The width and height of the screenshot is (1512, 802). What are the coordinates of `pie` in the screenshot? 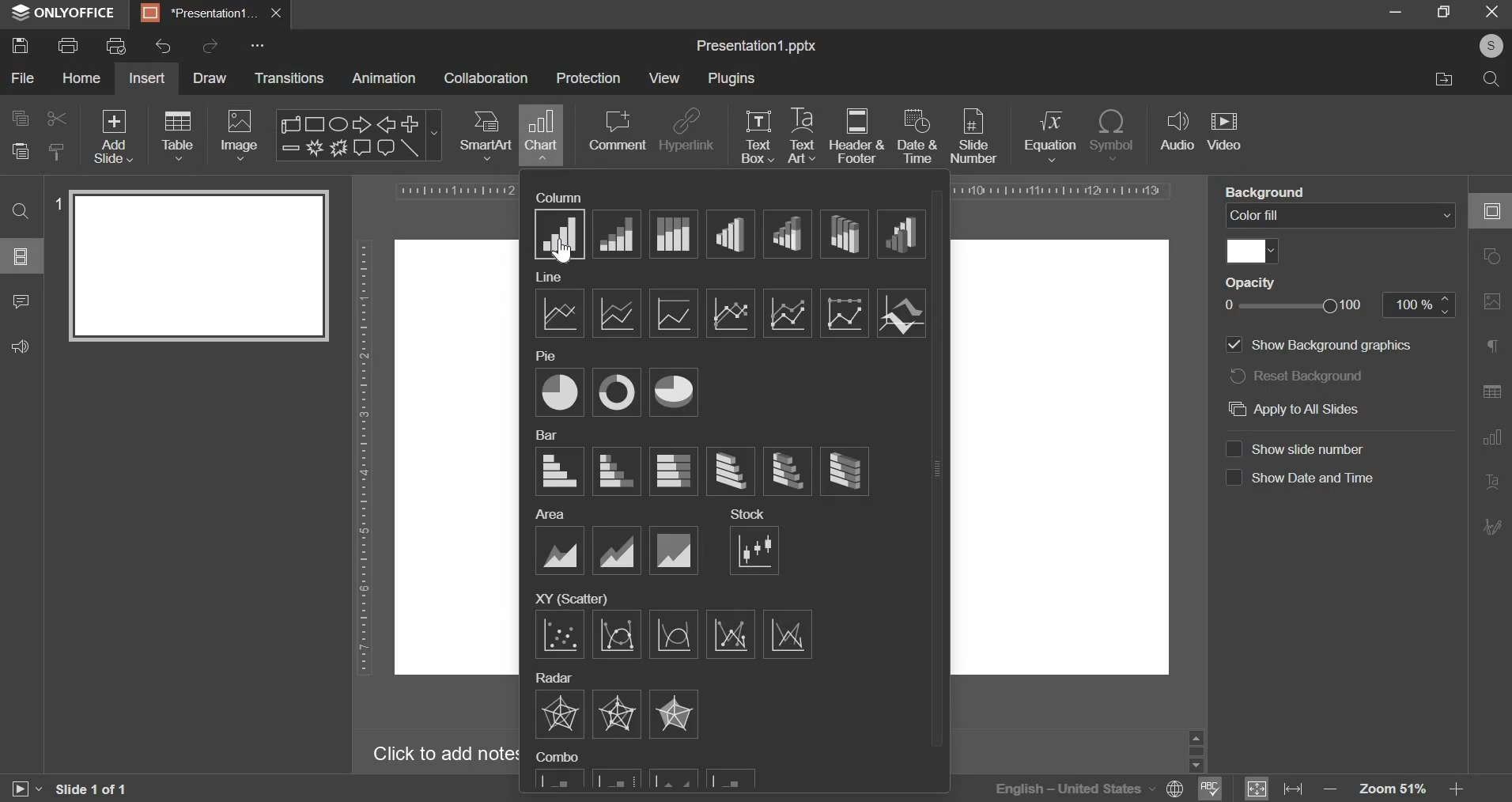 It's located at (548, 357).